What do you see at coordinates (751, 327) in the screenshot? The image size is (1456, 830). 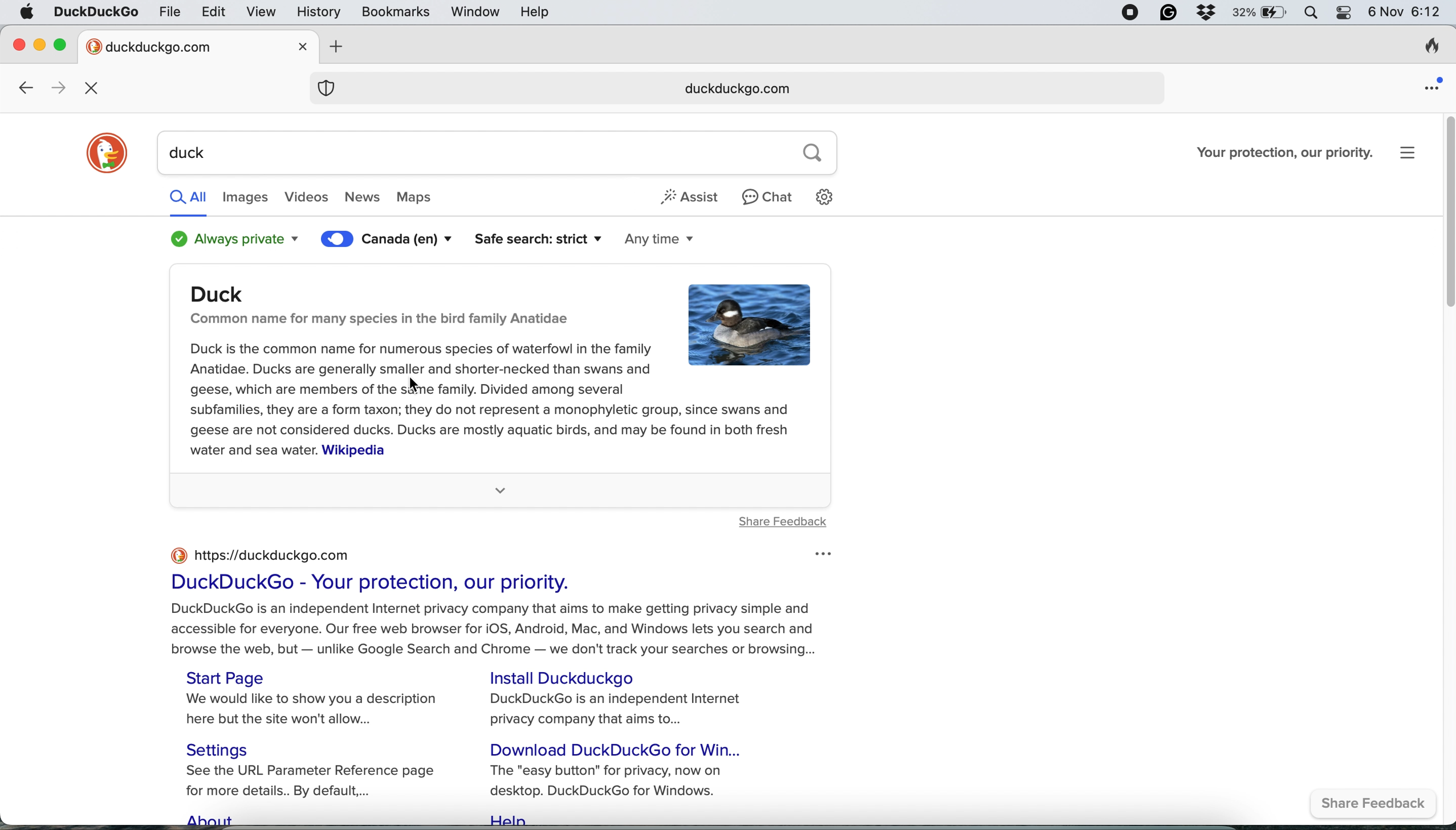 I see `duck image` at bounding box center [751, 327].